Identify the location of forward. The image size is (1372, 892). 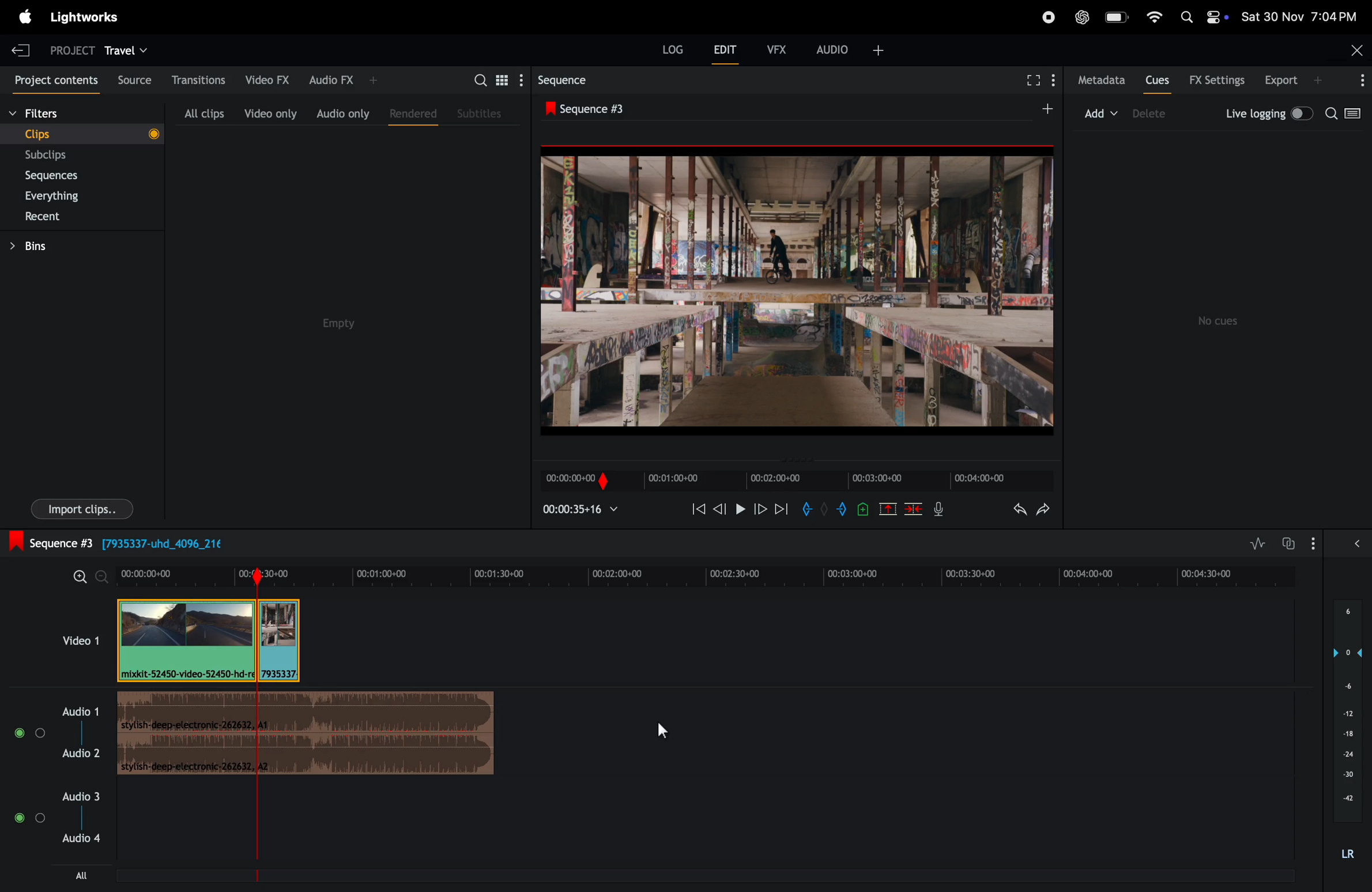
(760, 511).